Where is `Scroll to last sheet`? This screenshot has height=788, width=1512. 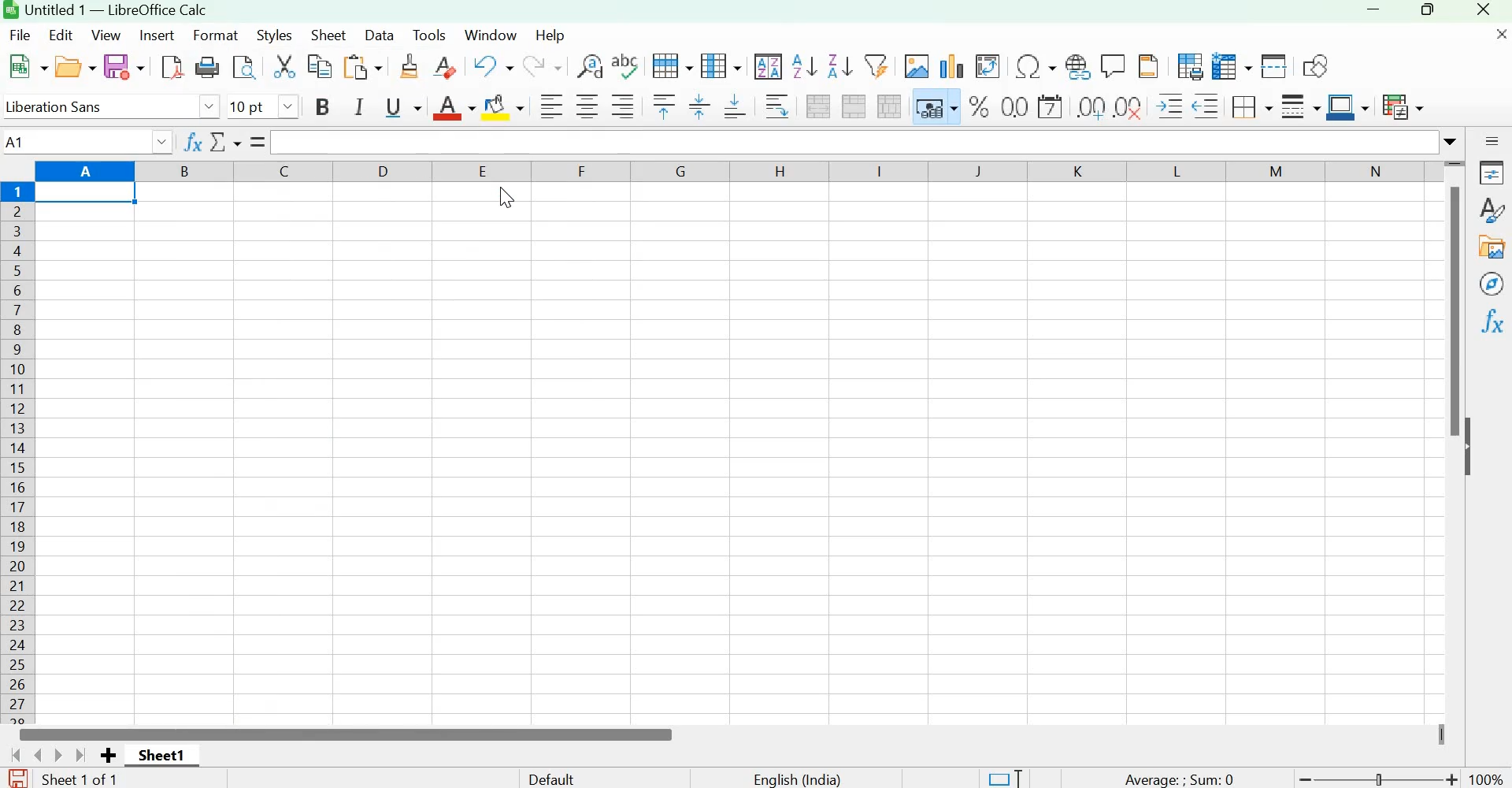 Scroll to last sheet is located at coordinates (83, 755).